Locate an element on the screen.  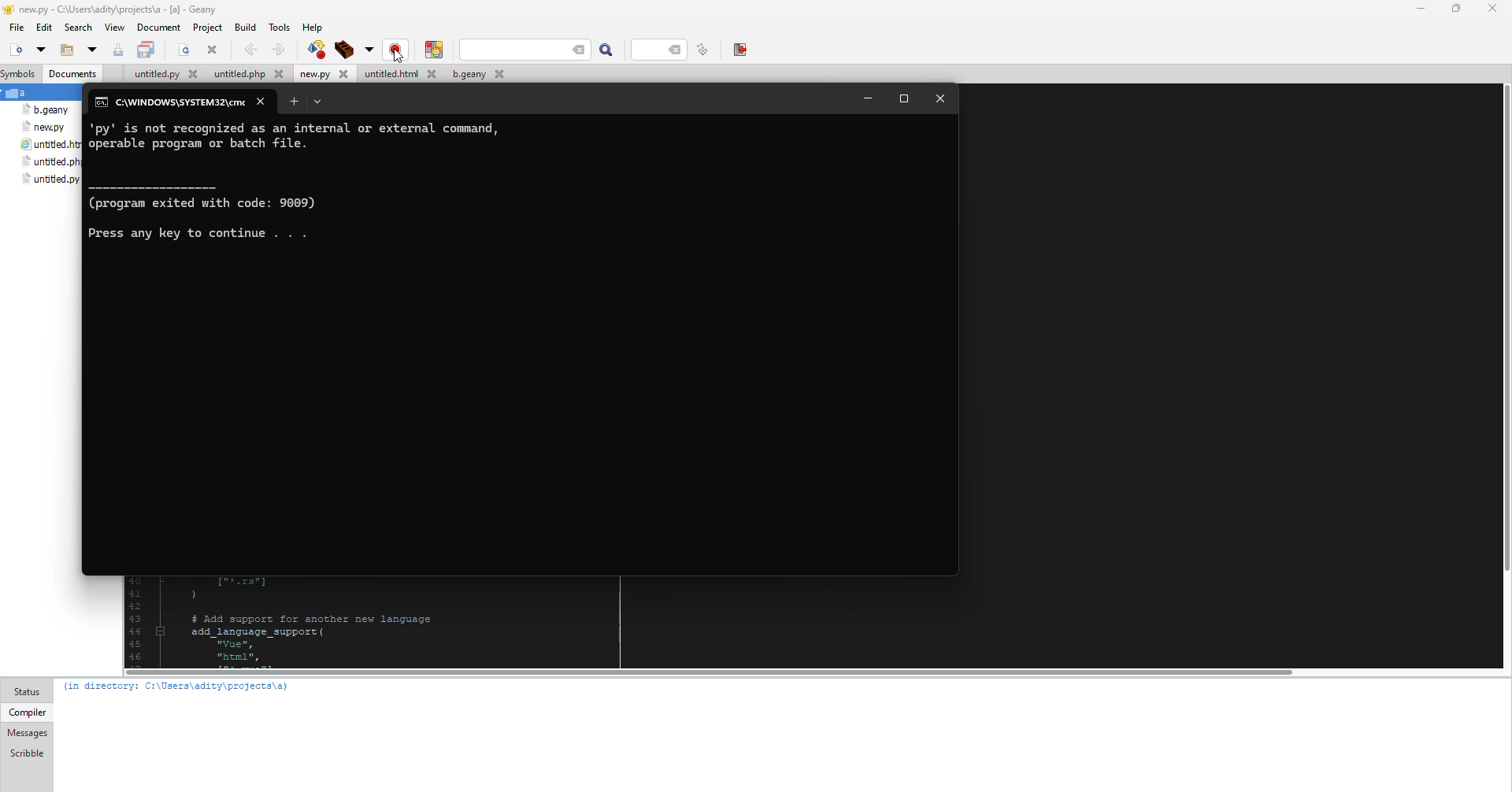
minimize is located at coordinates (1416, 9).